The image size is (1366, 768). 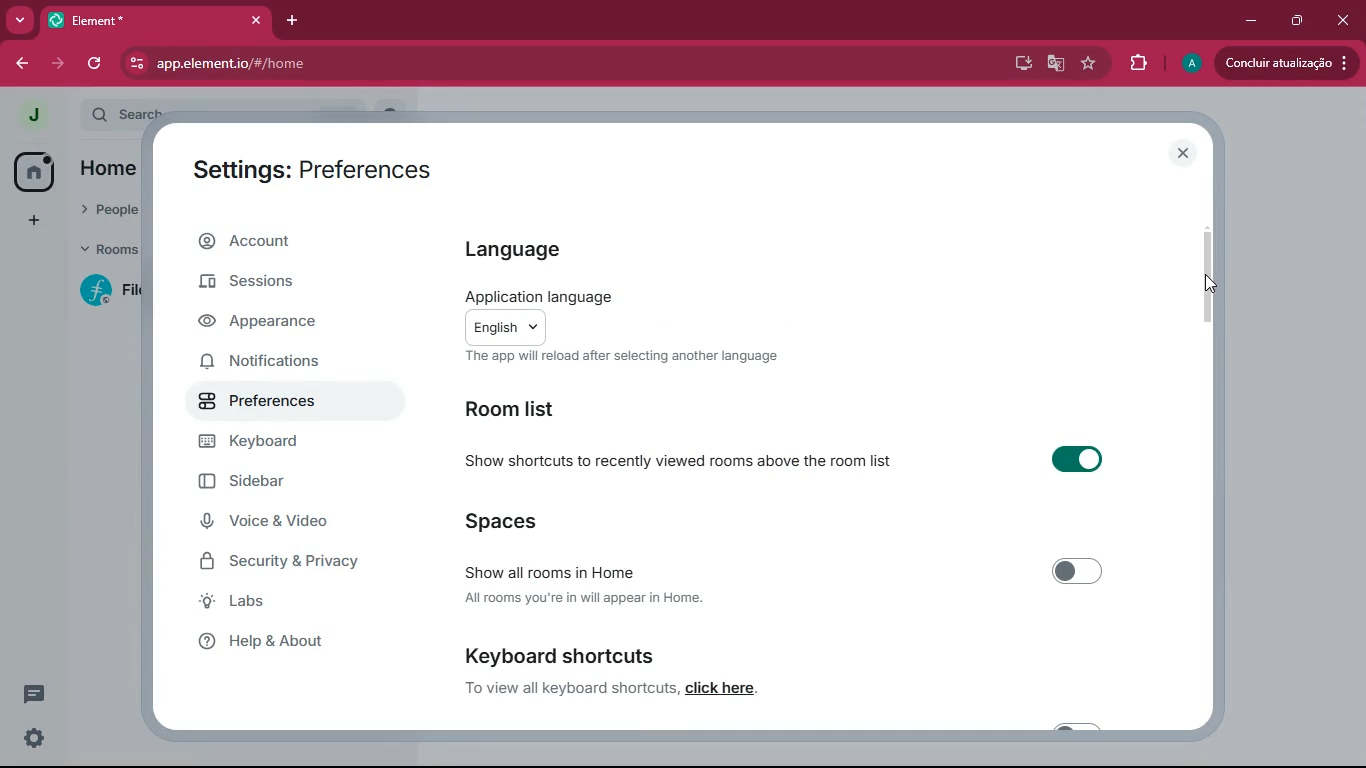 What do you see at coordinates (288, 242) in the screenshot?
I see `account` at bounding box center [288, 242].